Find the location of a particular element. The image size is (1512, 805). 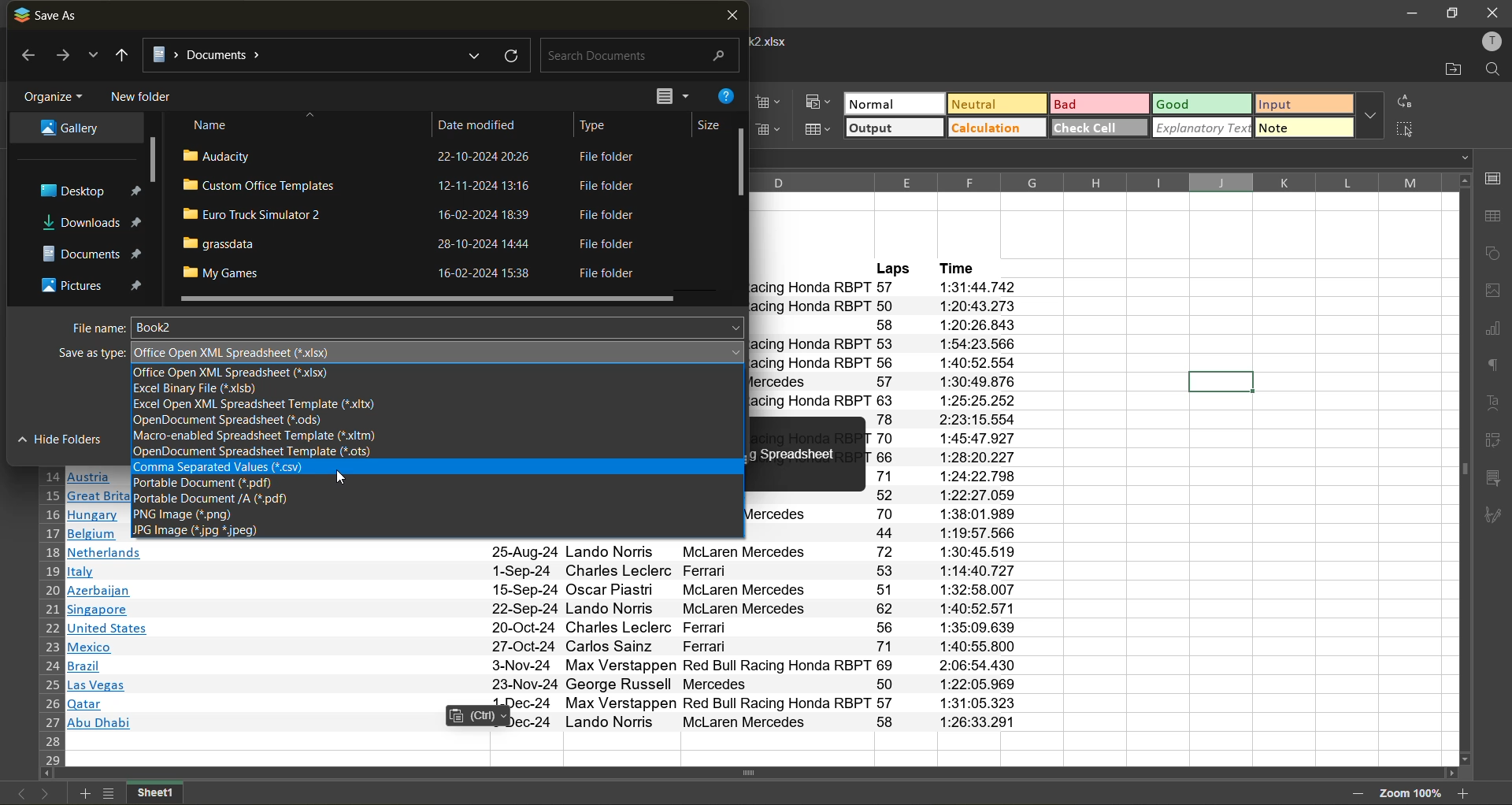

pdf is located at coordinates (211, 484).